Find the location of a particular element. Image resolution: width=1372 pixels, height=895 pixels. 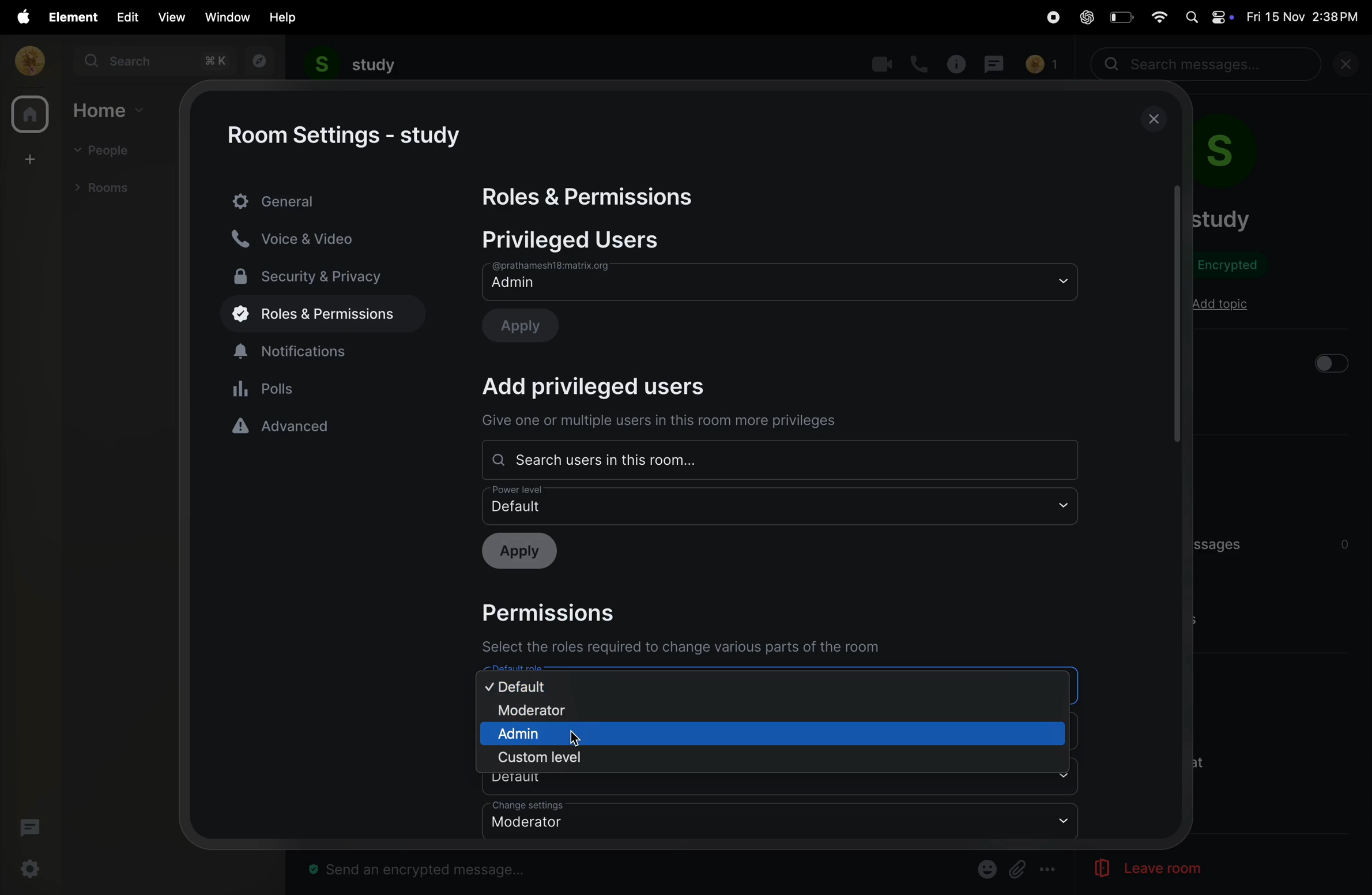

leave room is located at coordinates (1132, 869).